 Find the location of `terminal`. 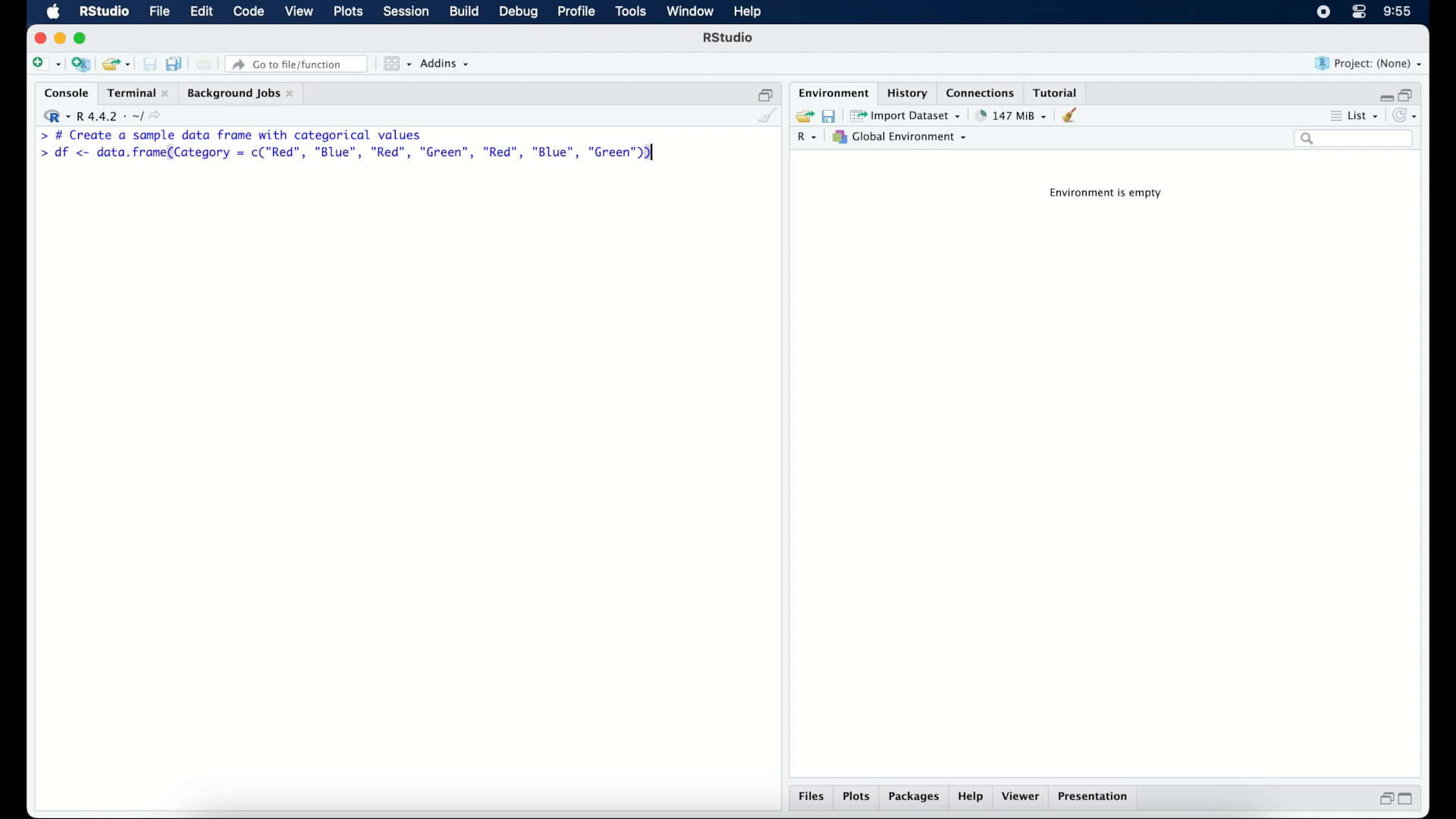

terminal is located at coordinates (136, 91).